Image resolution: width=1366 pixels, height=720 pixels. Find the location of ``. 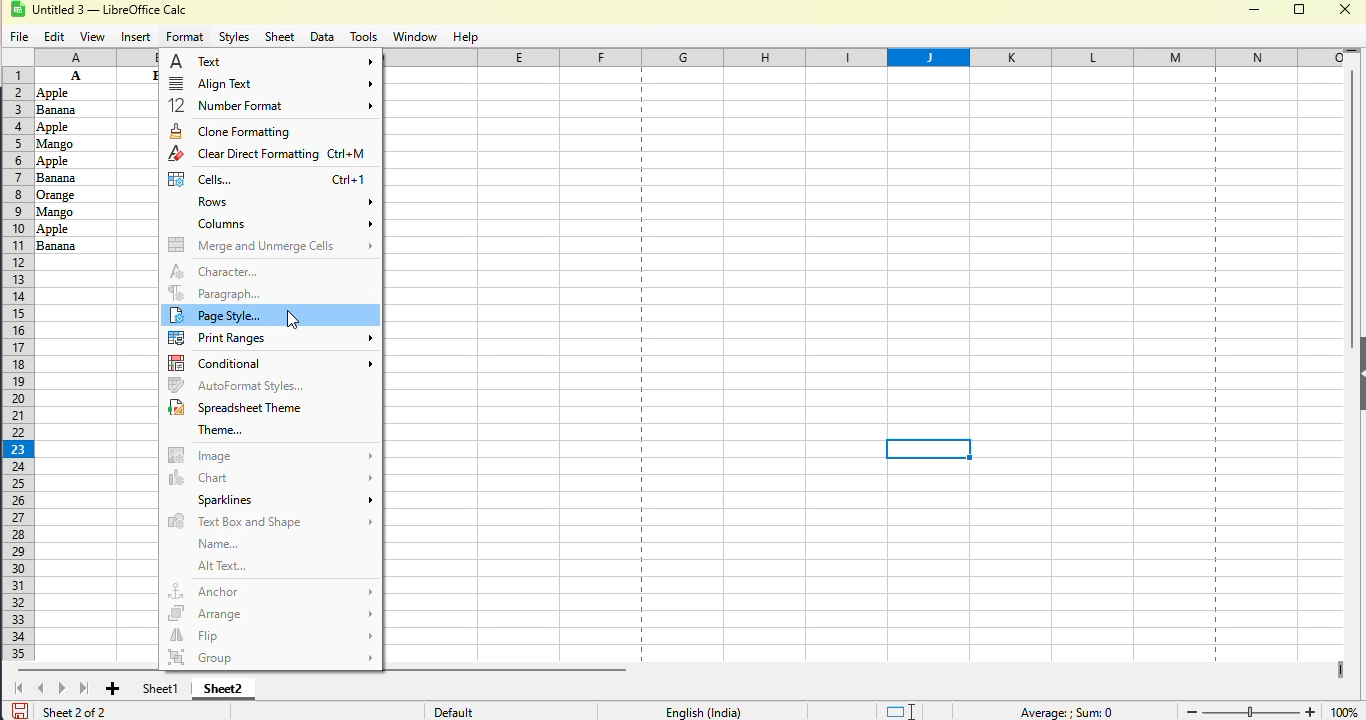

 is located at coordinates (73, 178).